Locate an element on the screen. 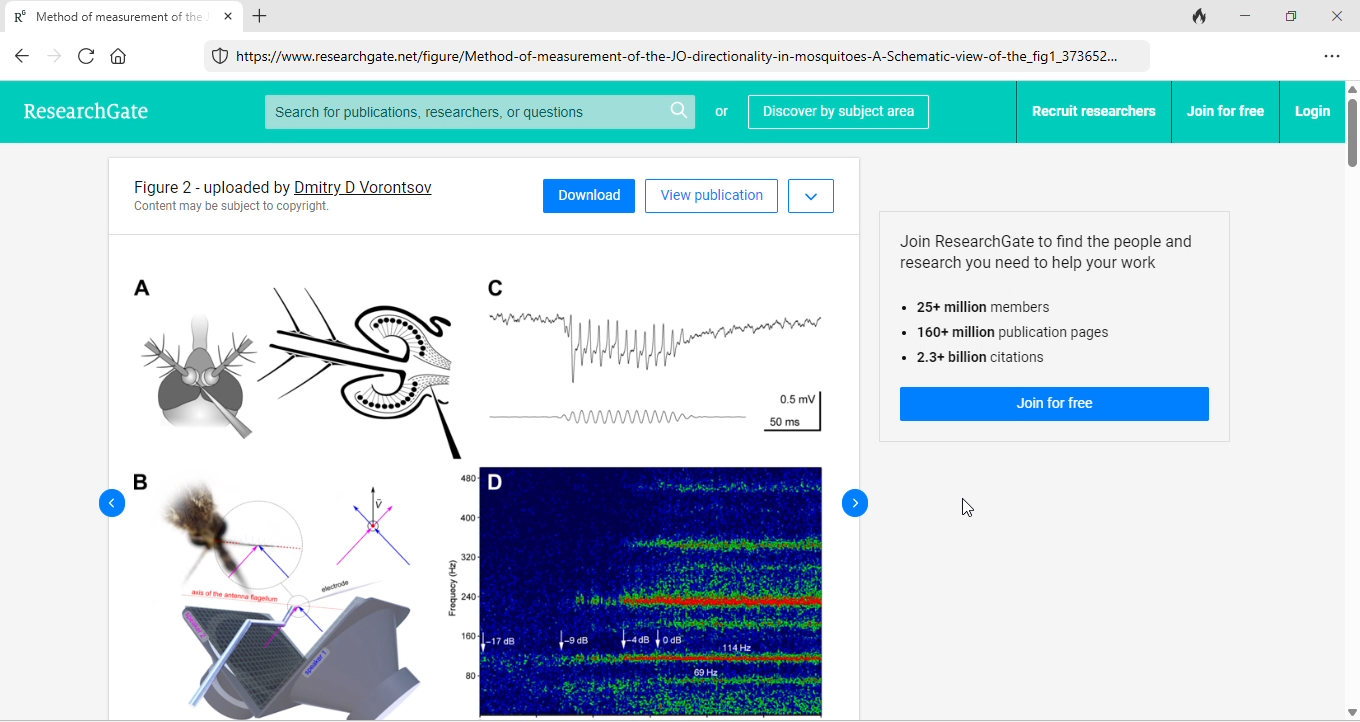 This screenshot has width=1360, height=722. author Dimitry D Vorontsov profile link is located at coordinates (365, 186).